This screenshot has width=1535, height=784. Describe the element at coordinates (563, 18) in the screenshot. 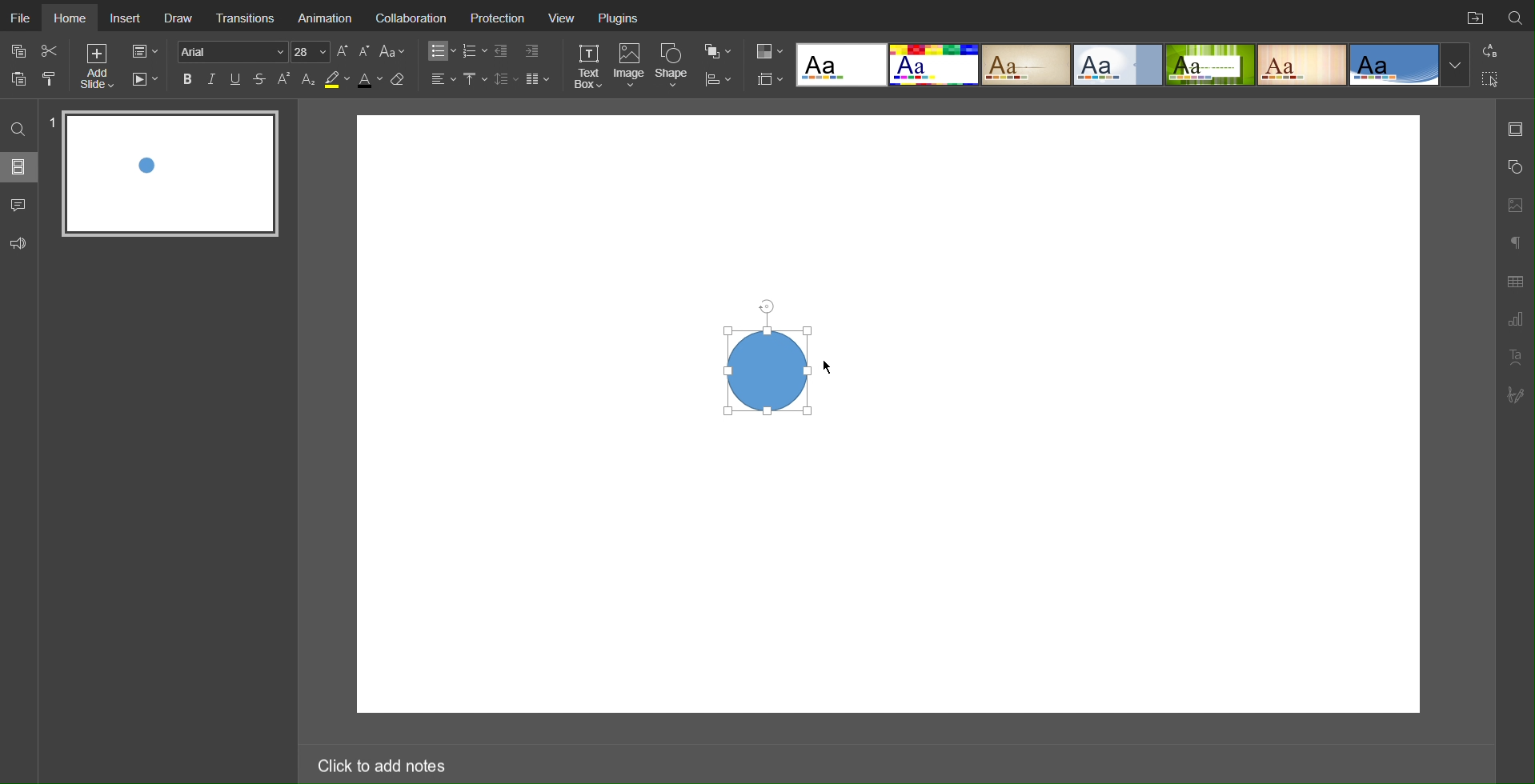

I see `View` at that location.